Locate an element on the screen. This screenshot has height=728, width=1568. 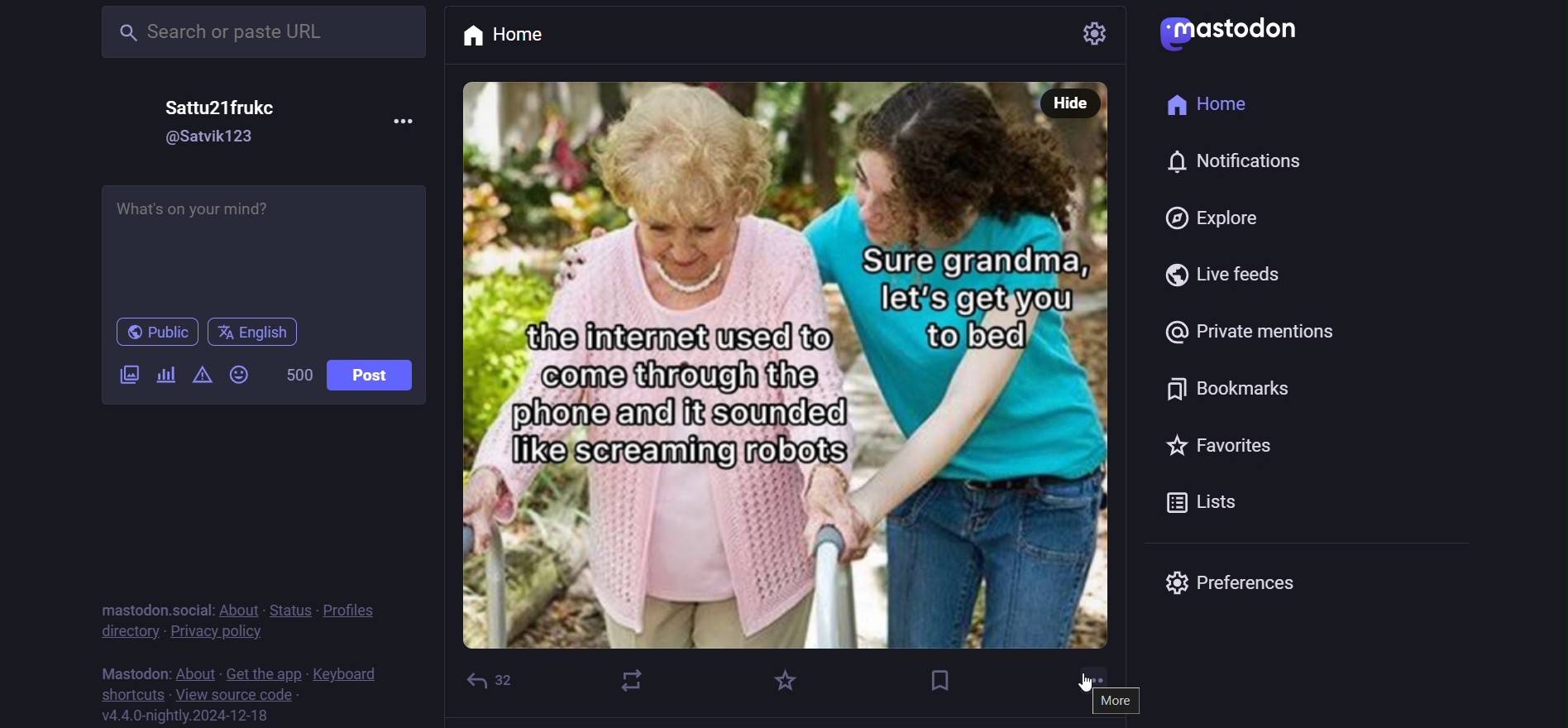
content warning is located at coordinates (201, 375).